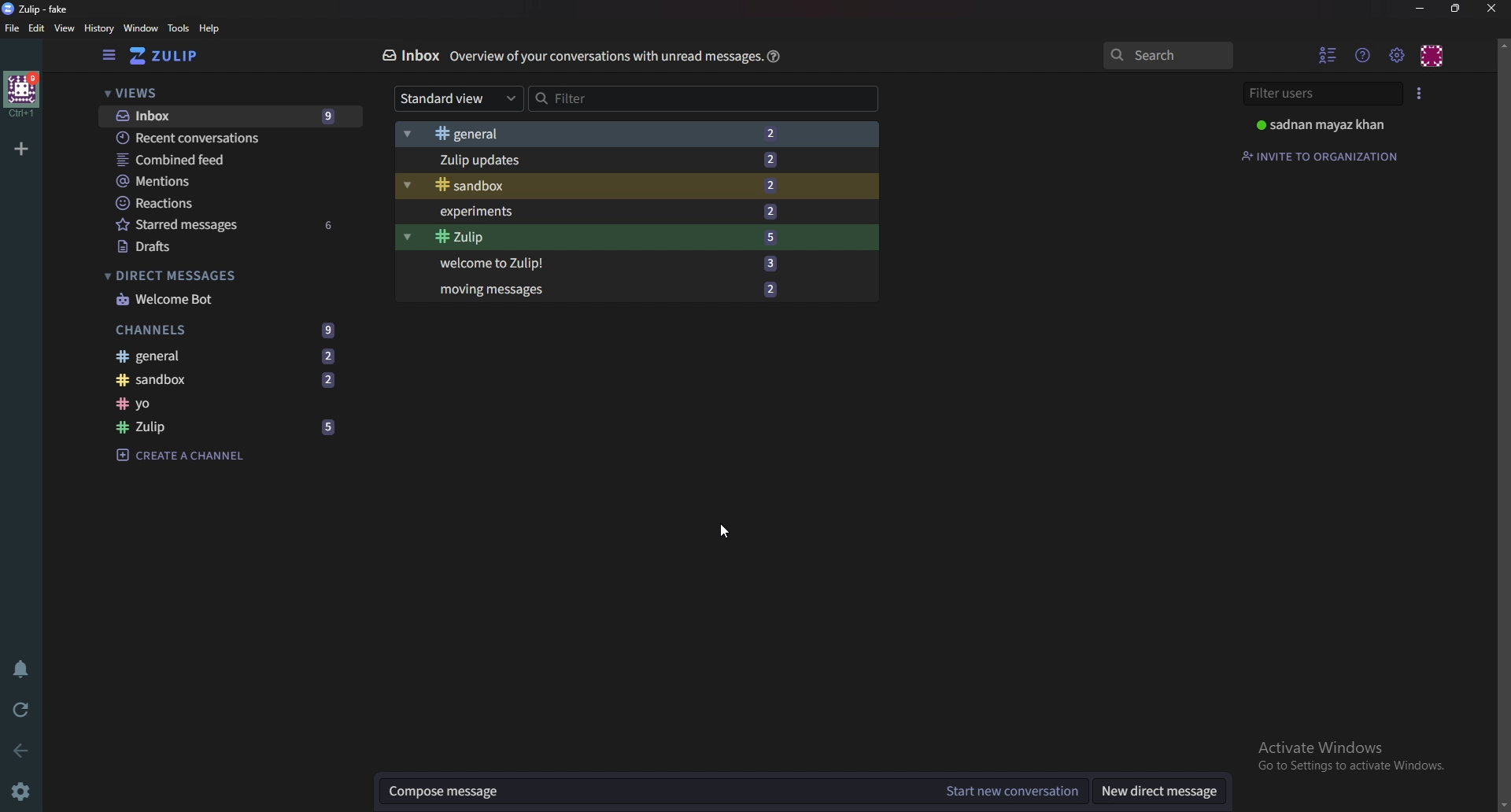  Describe the element at coordinates (623, 132) in the screenshot. I see `general` at that location.